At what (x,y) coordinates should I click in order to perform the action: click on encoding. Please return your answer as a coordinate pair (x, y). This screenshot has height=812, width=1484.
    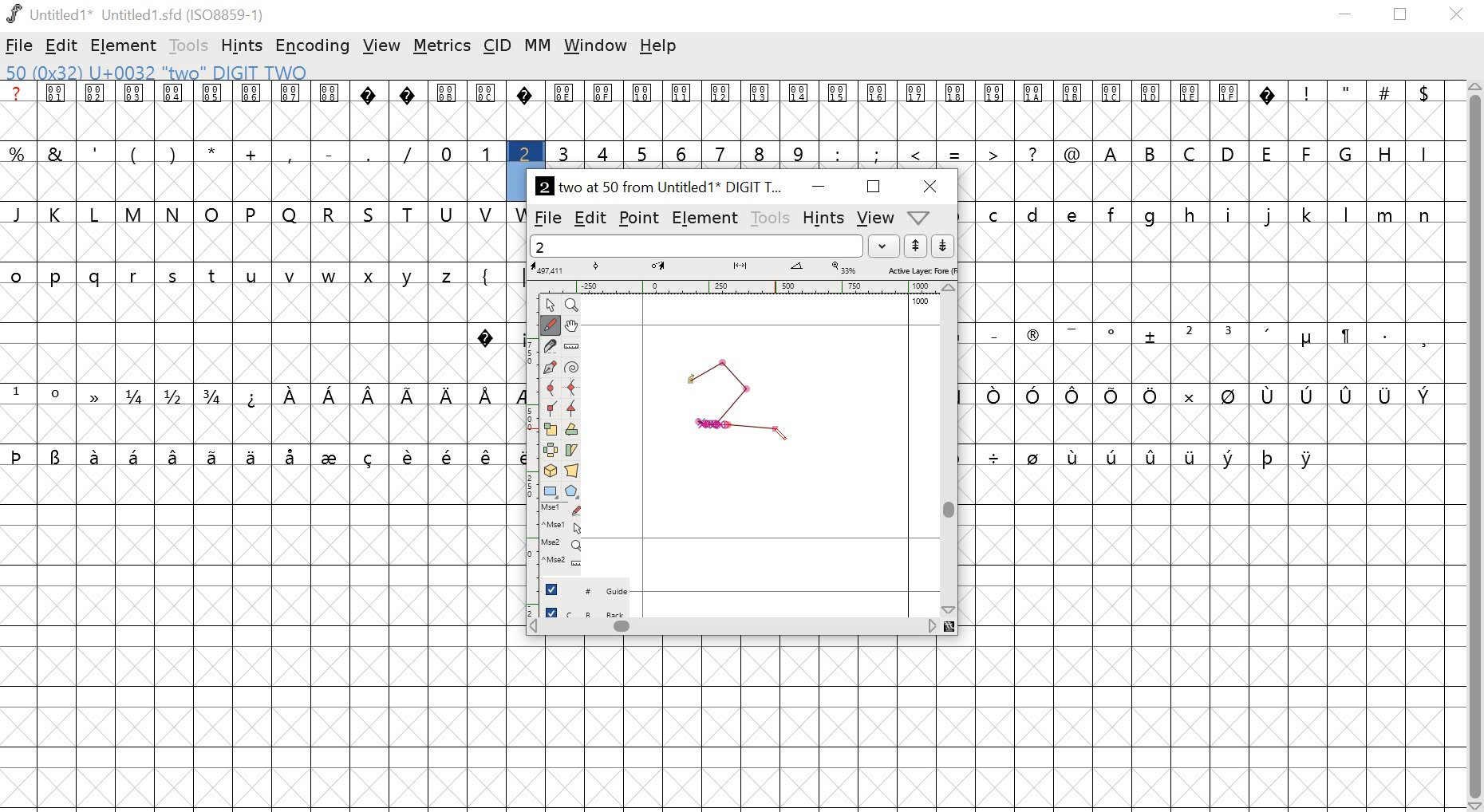
    Looking at the image, I should click on (314, 45).